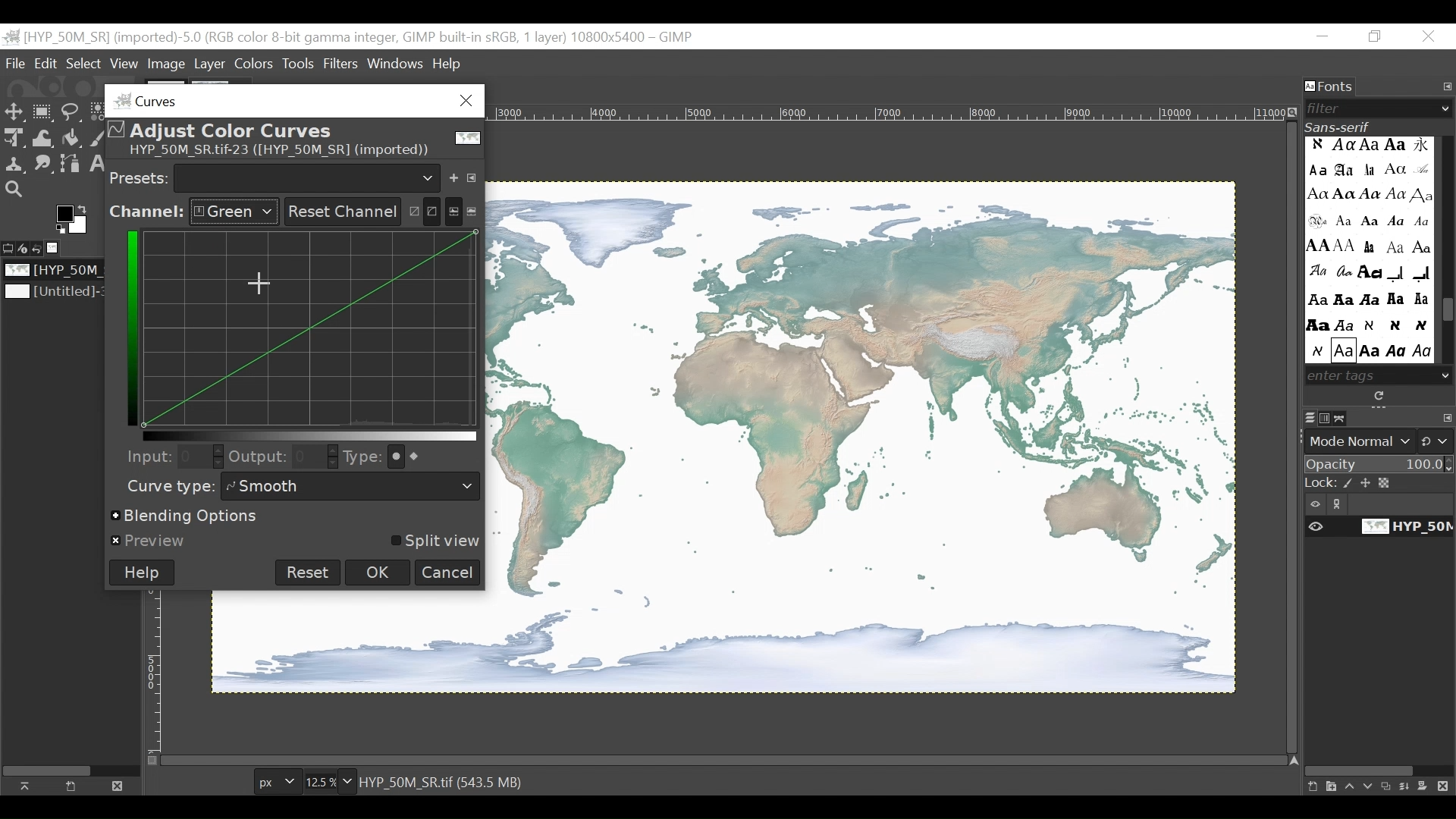  I want to click on Split view, so click(433, 541).